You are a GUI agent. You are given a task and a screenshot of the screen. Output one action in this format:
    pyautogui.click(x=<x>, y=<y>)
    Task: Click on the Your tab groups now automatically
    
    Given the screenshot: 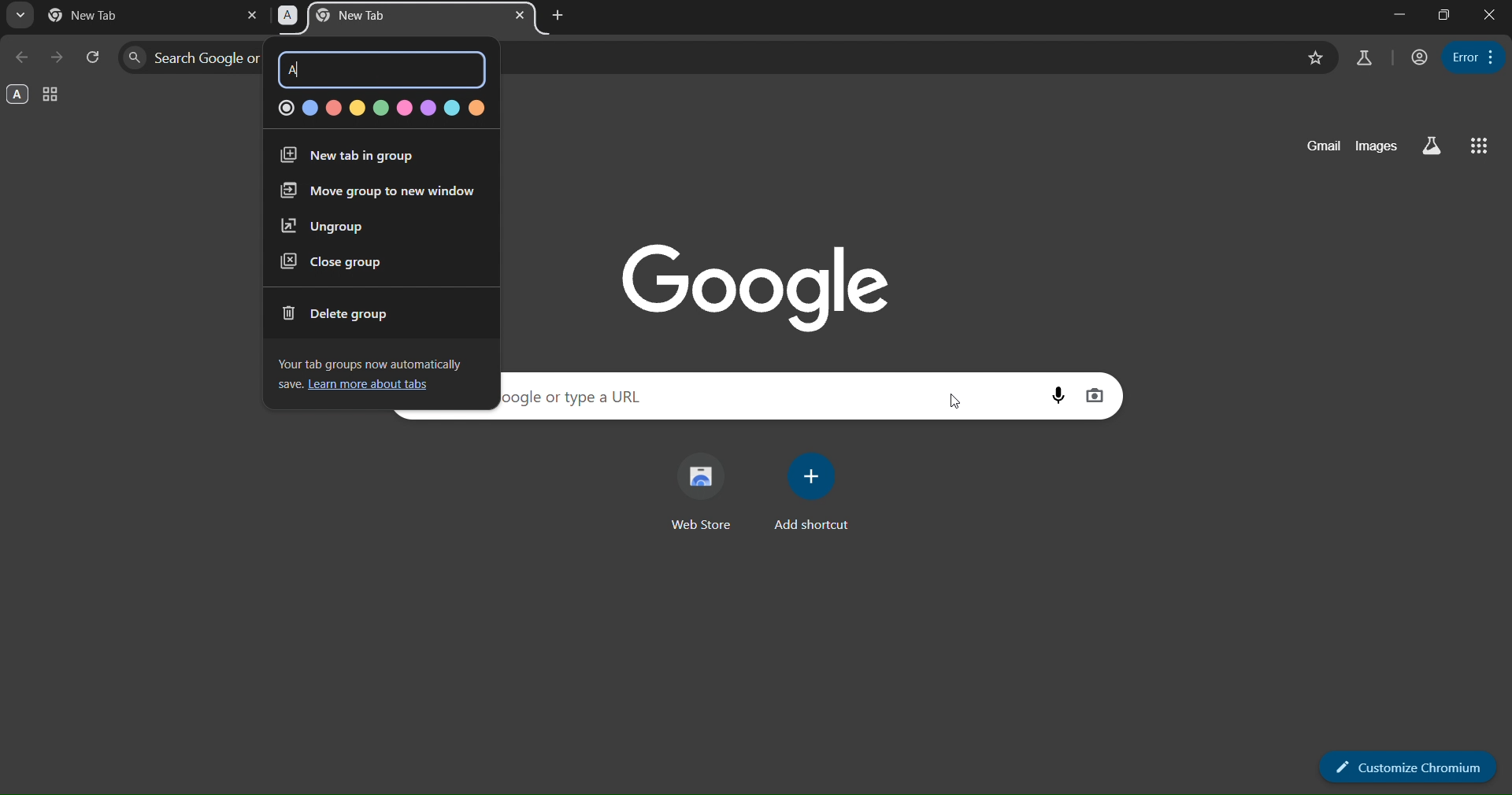 What is the action you would take?
    pyautogui.click(x=376, y=365)
    